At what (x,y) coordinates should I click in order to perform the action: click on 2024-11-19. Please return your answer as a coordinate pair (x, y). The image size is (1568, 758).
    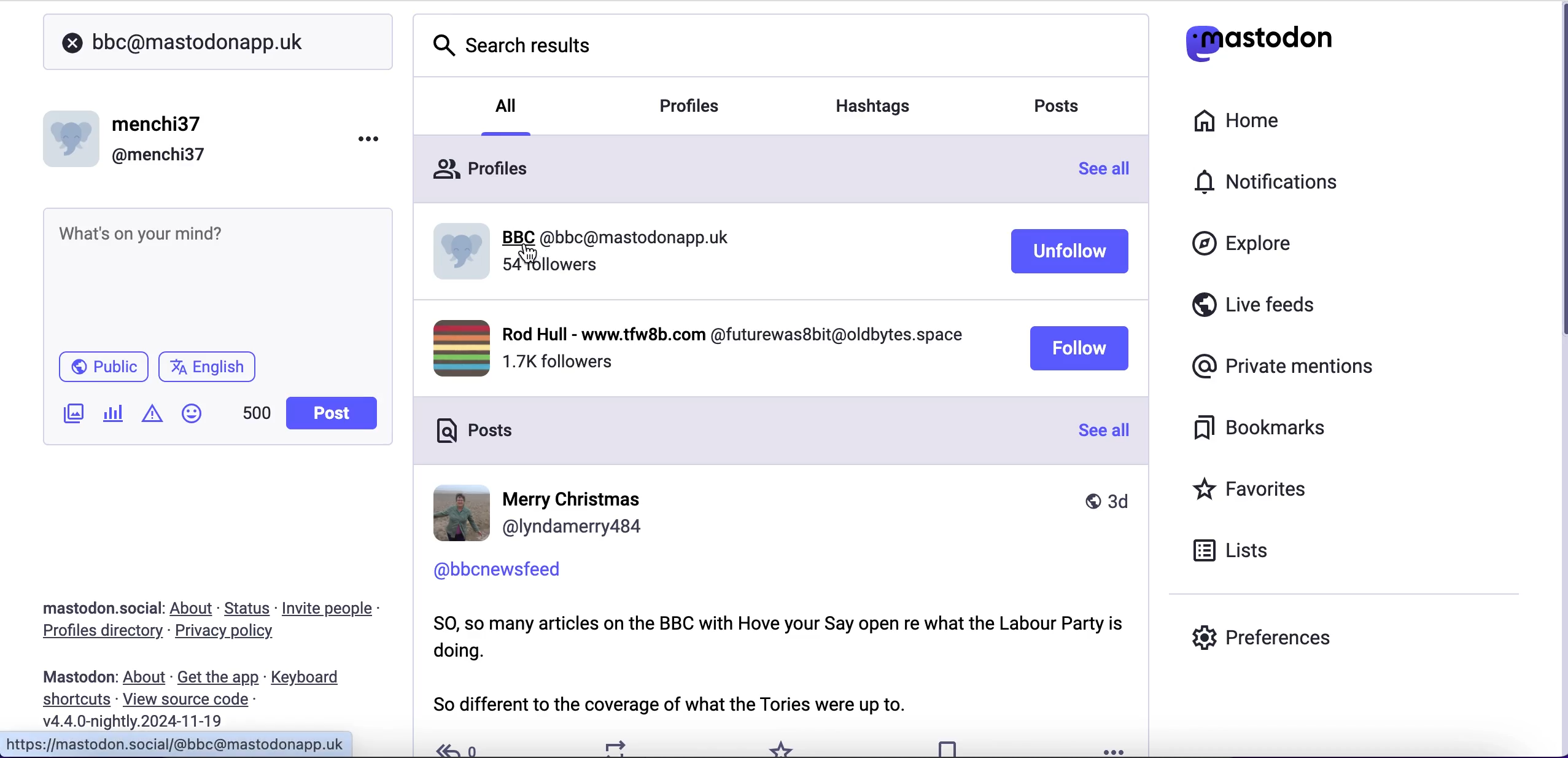
    Looking at the image, I should click on (142, 721).